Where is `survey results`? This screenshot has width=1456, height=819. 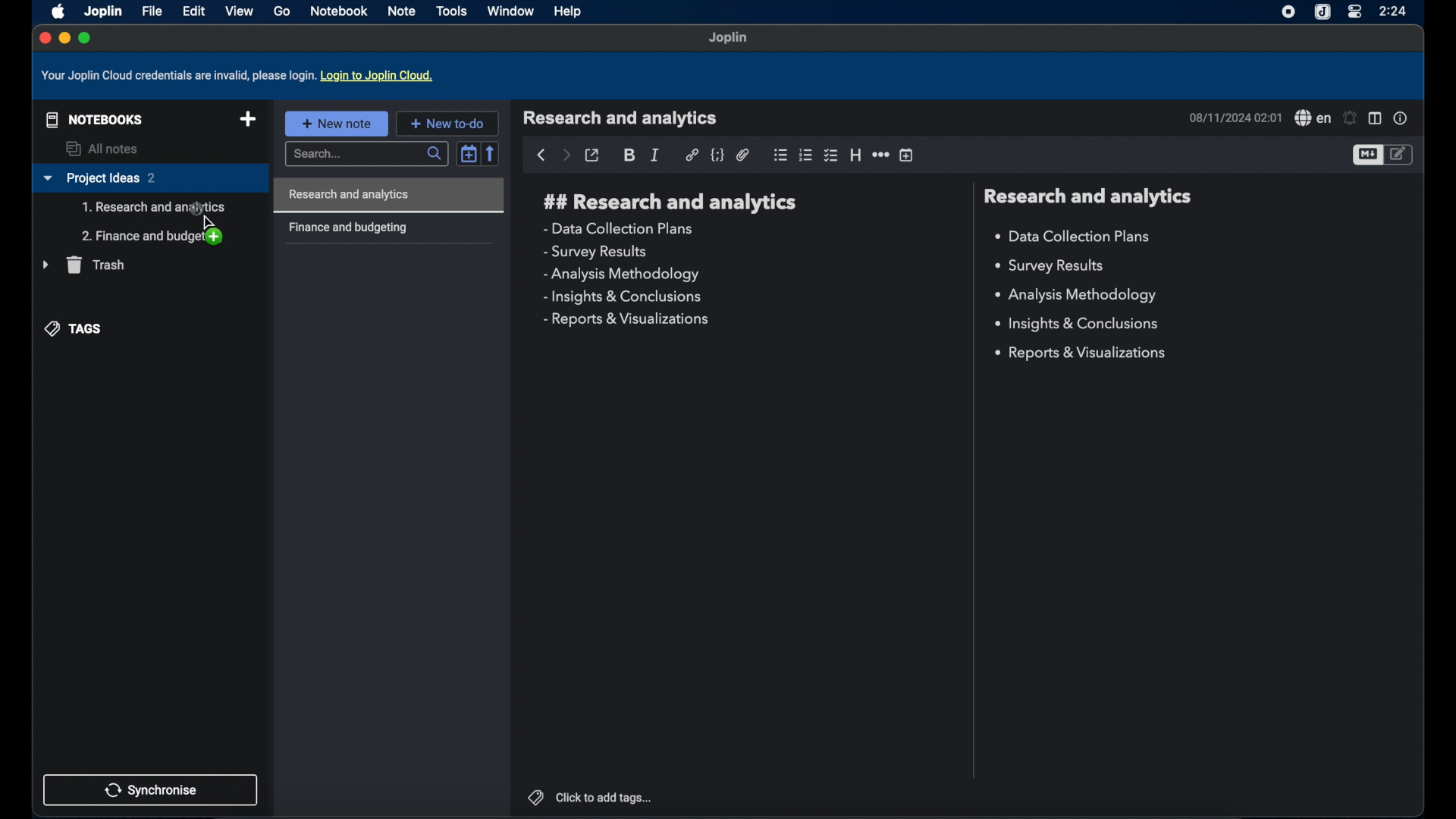
survey results is located at coordinates (1056, 266).